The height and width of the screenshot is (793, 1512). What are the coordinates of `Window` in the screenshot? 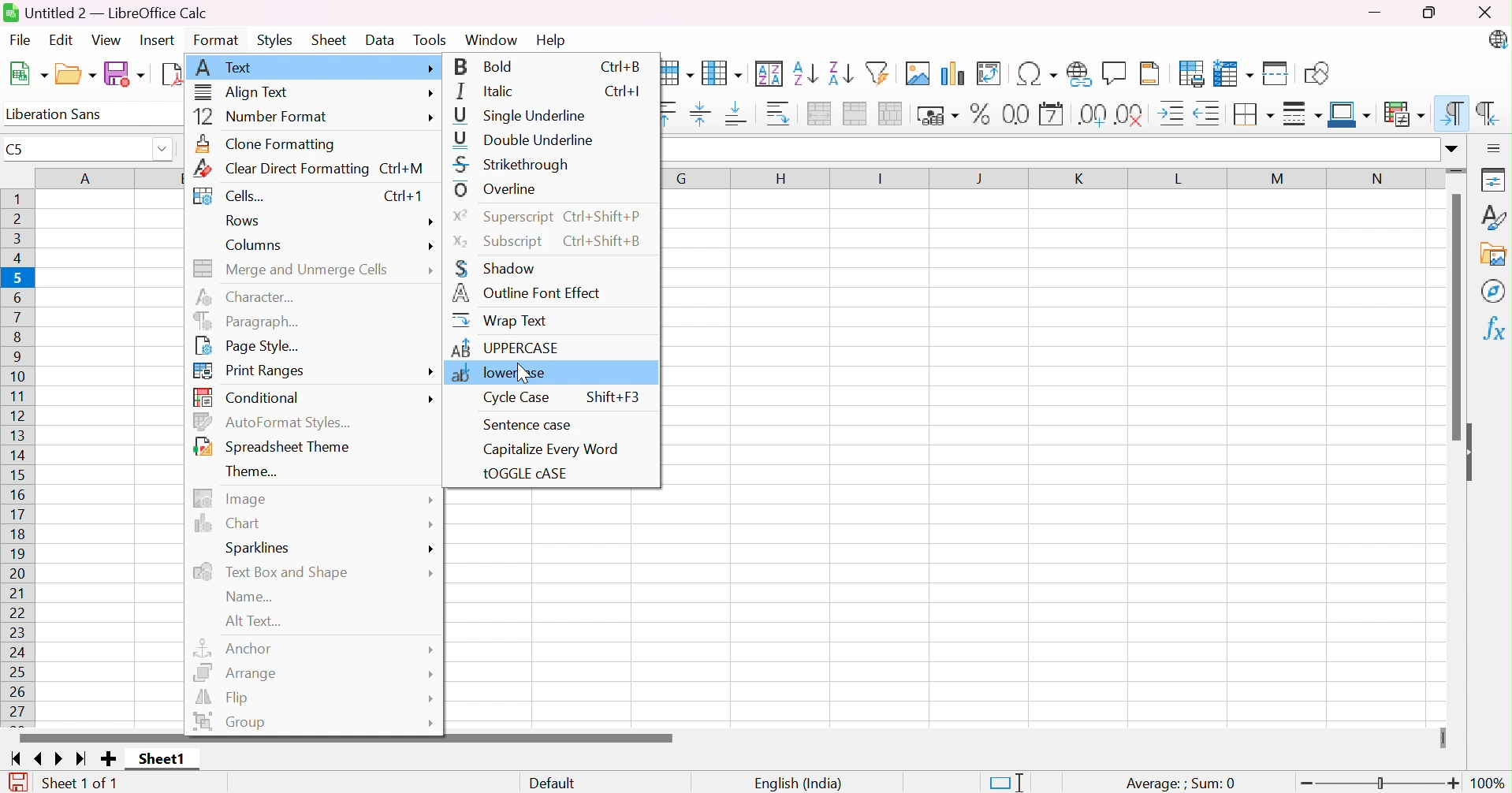 It's located at (493, 39).